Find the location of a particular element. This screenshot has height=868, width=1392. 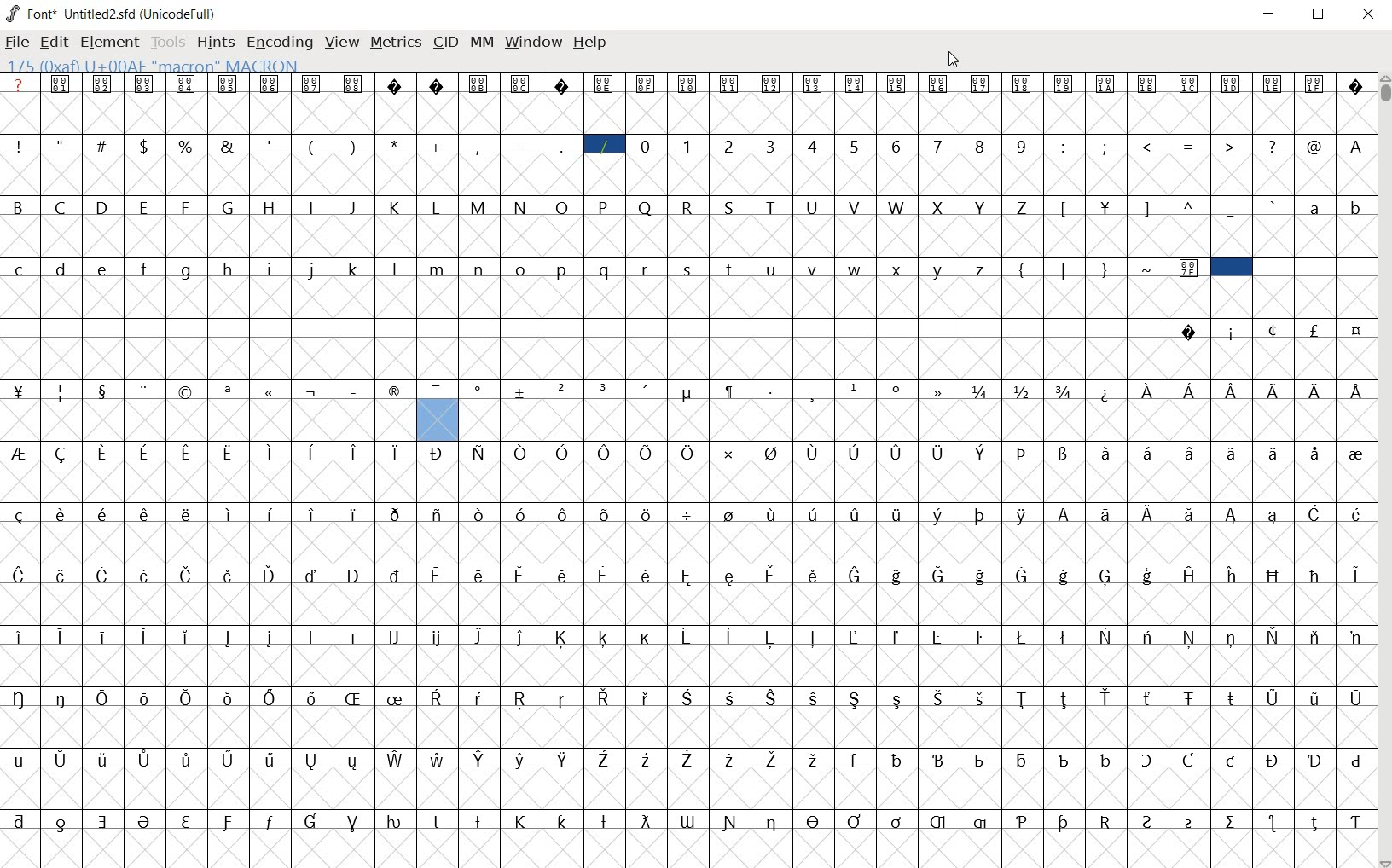

Symbol is located at coordinates (1064, 575).